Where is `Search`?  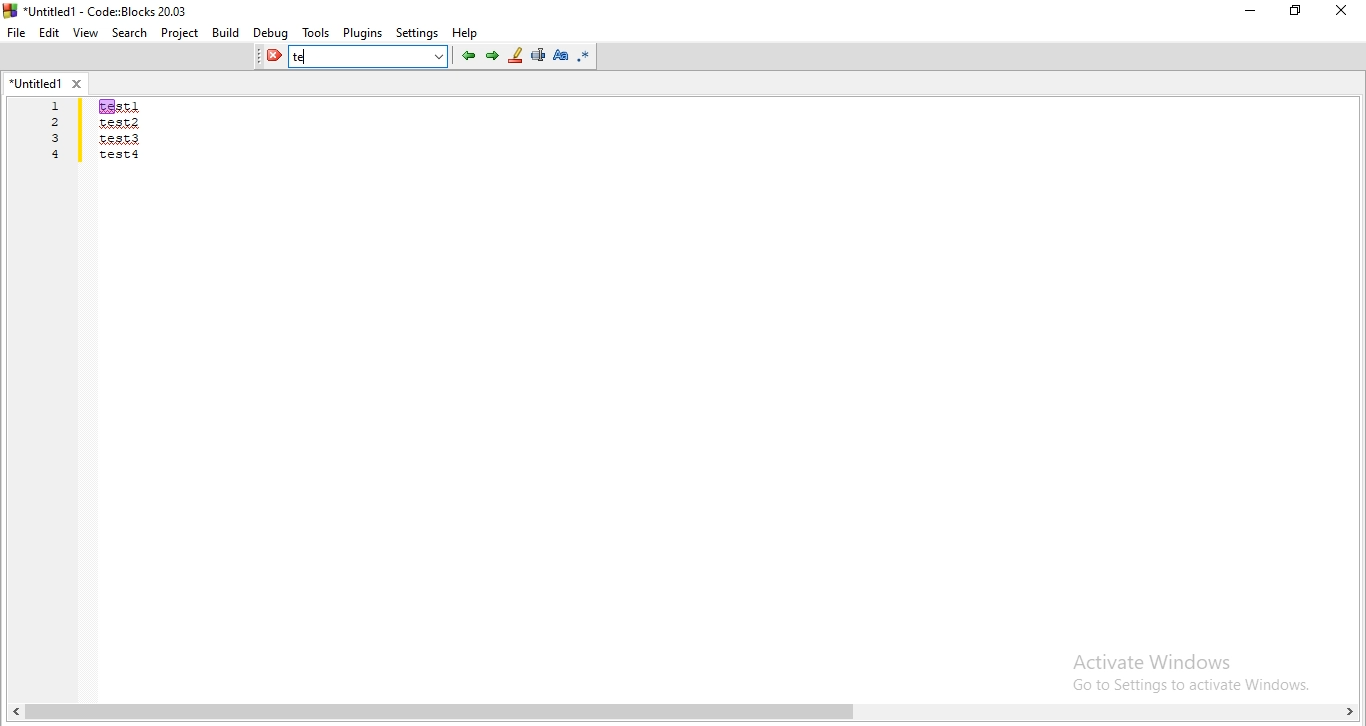
Search is located at coordinates (130, 33).